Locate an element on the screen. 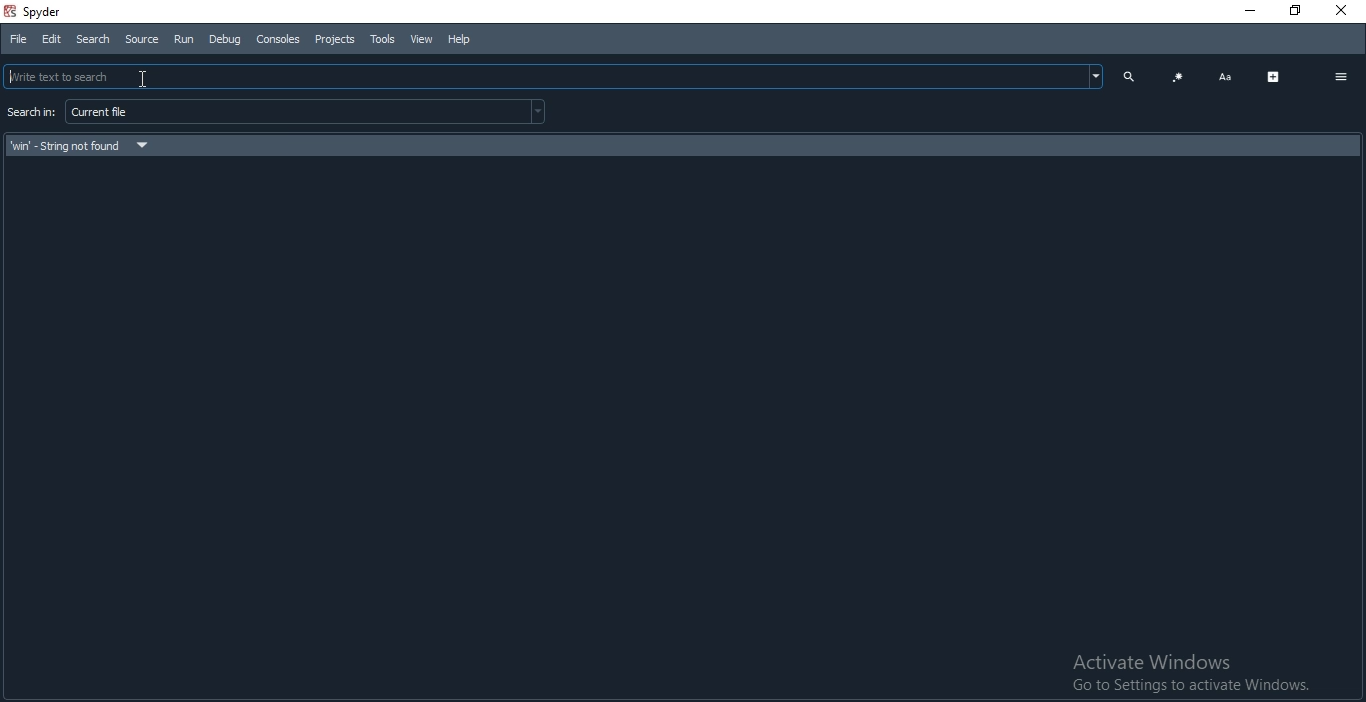  Close is located at coordinates (1341, 9).